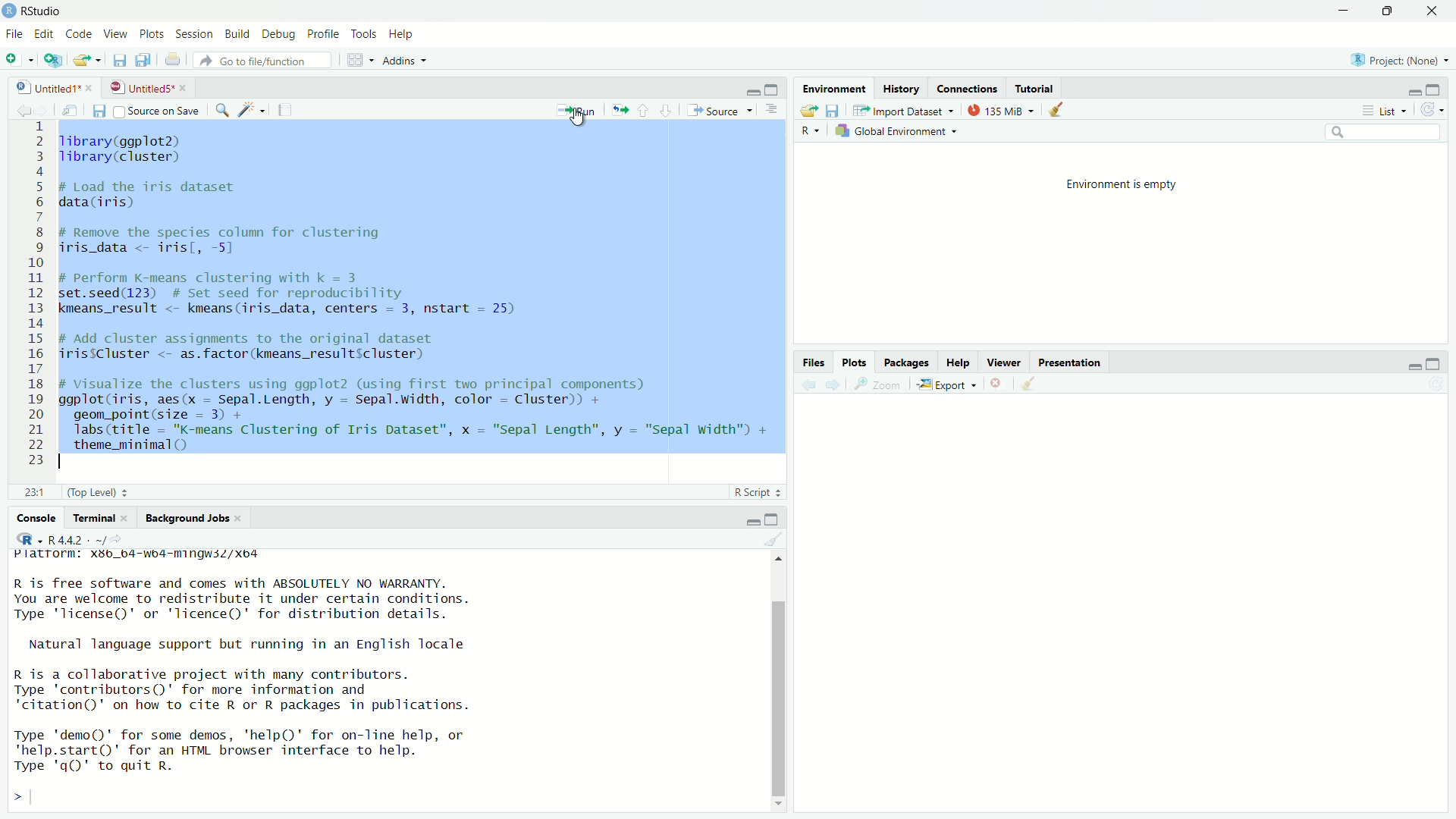 The image size is (1456, 819). I want to click on Tutorial, so click(1033, 86).